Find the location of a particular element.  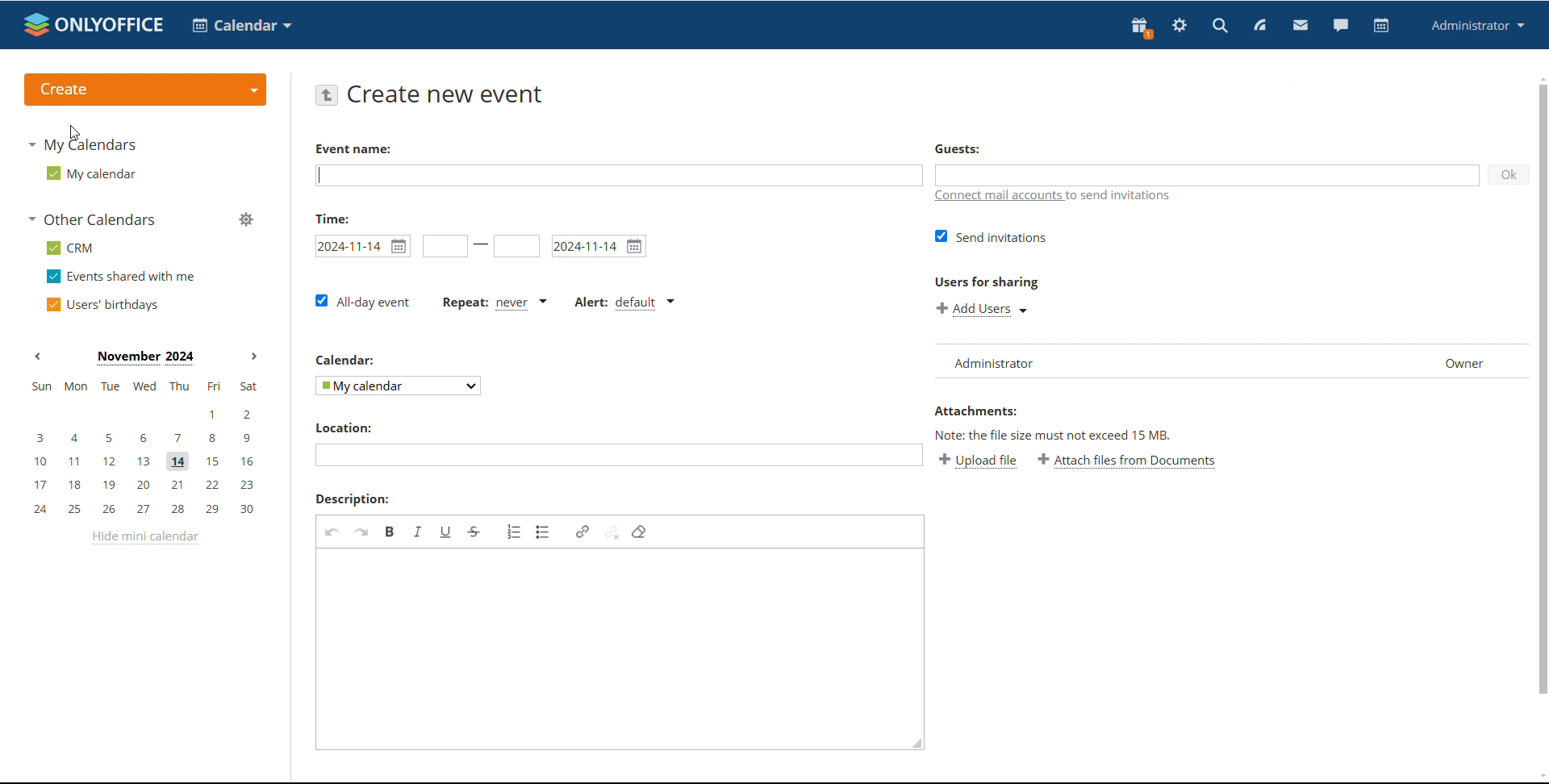

resize box is located at coordinates (913, 746).